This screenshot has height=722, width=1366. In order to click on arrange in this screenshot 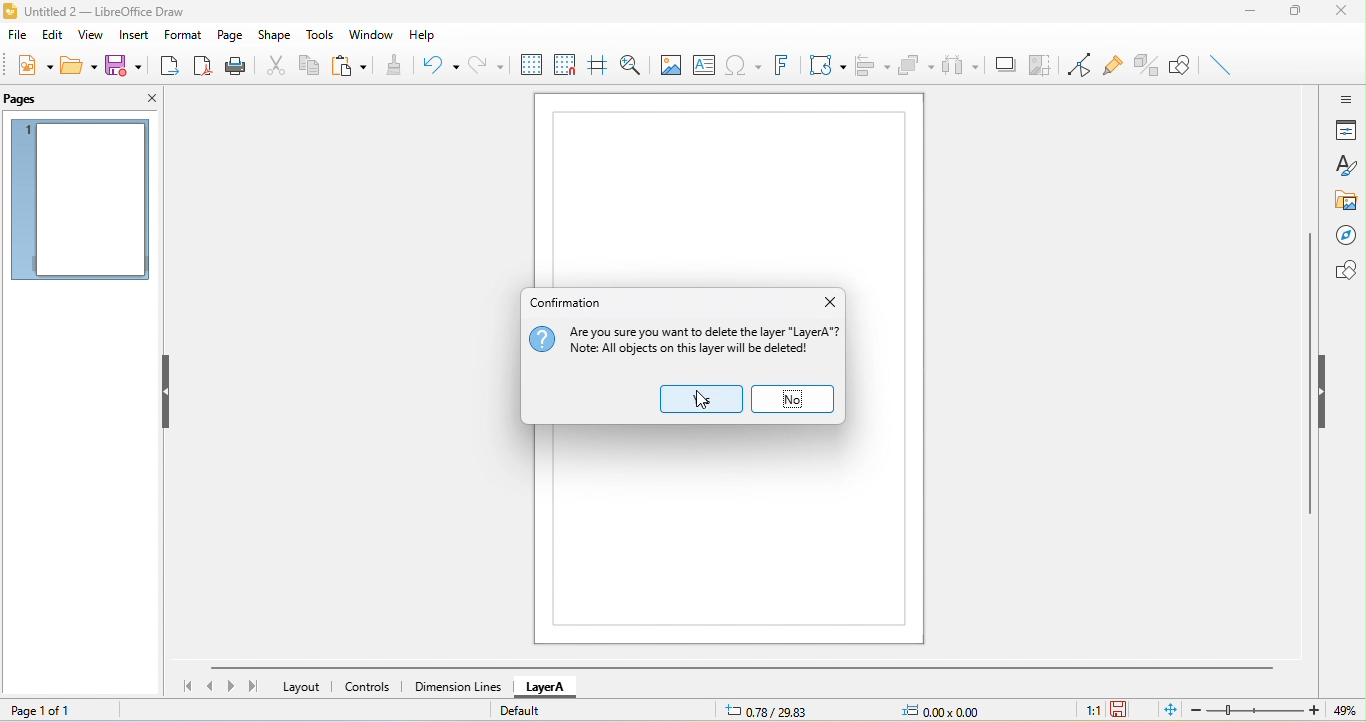, I will do `click(915, 65)`.